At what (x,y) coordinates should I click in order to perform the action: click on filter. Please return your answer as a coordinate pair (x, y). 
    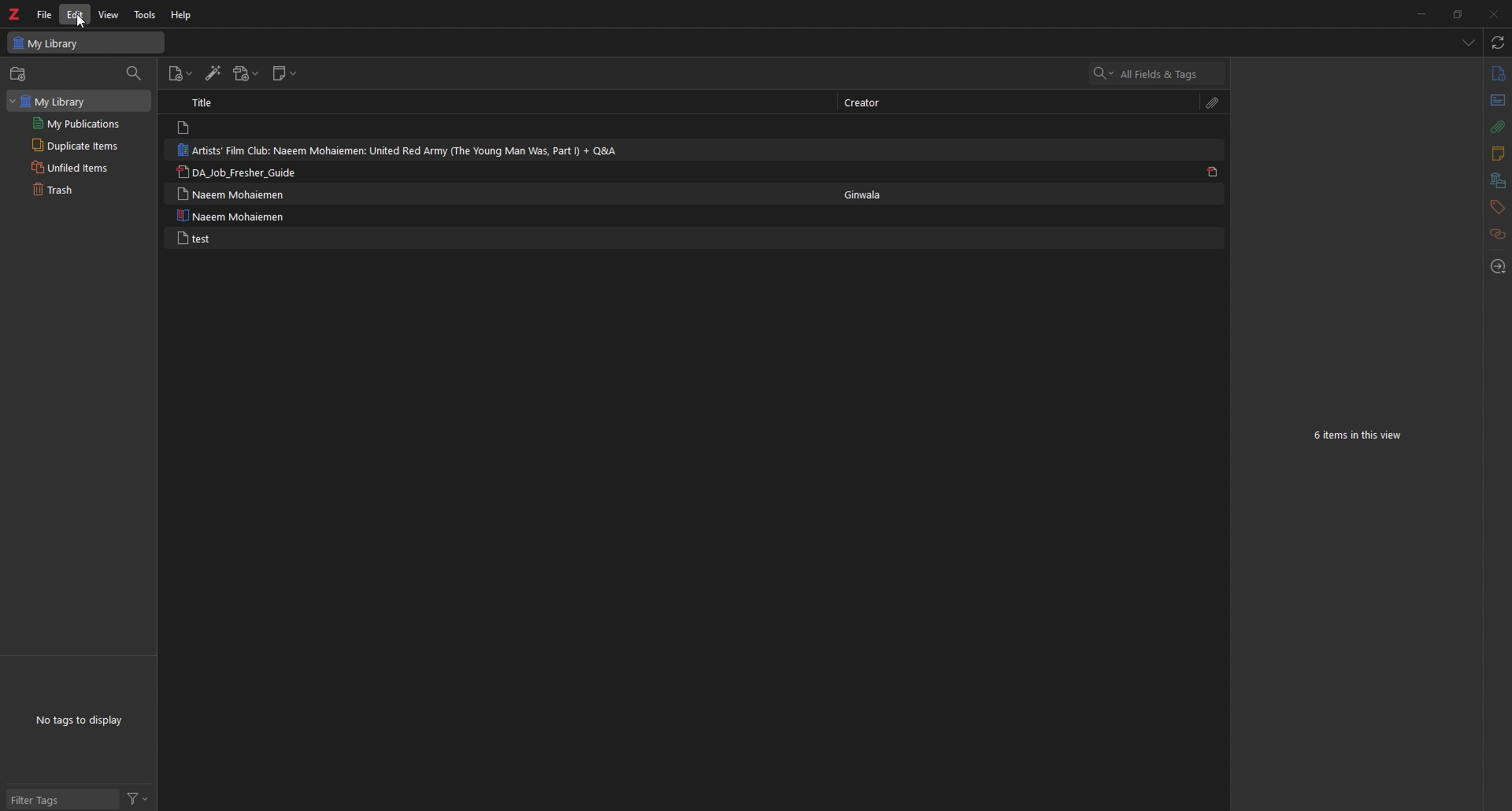
    Looking at the image, I should click on (139, 799).